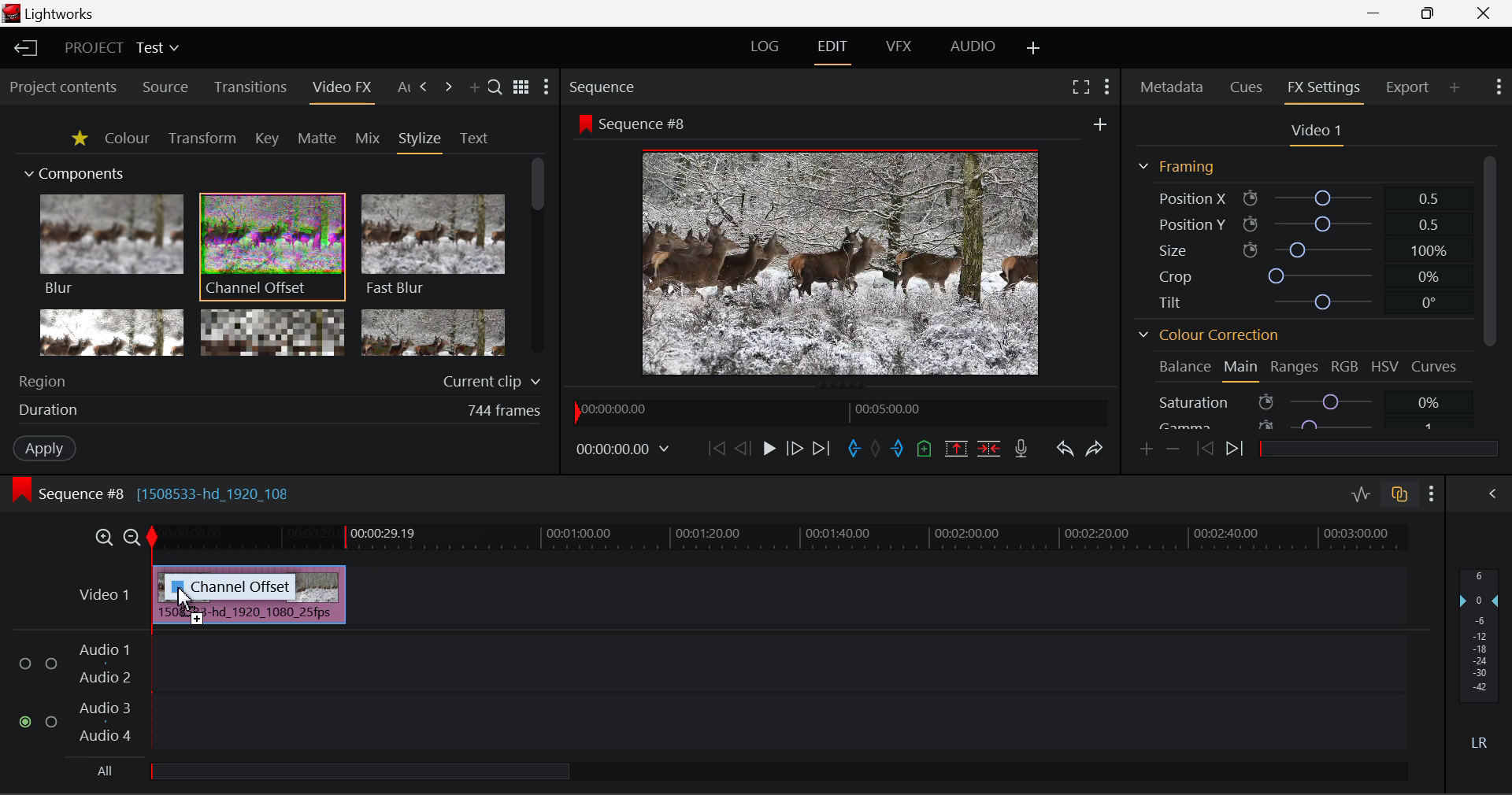  I want to click on Remove All Marks, so click(875, 449).